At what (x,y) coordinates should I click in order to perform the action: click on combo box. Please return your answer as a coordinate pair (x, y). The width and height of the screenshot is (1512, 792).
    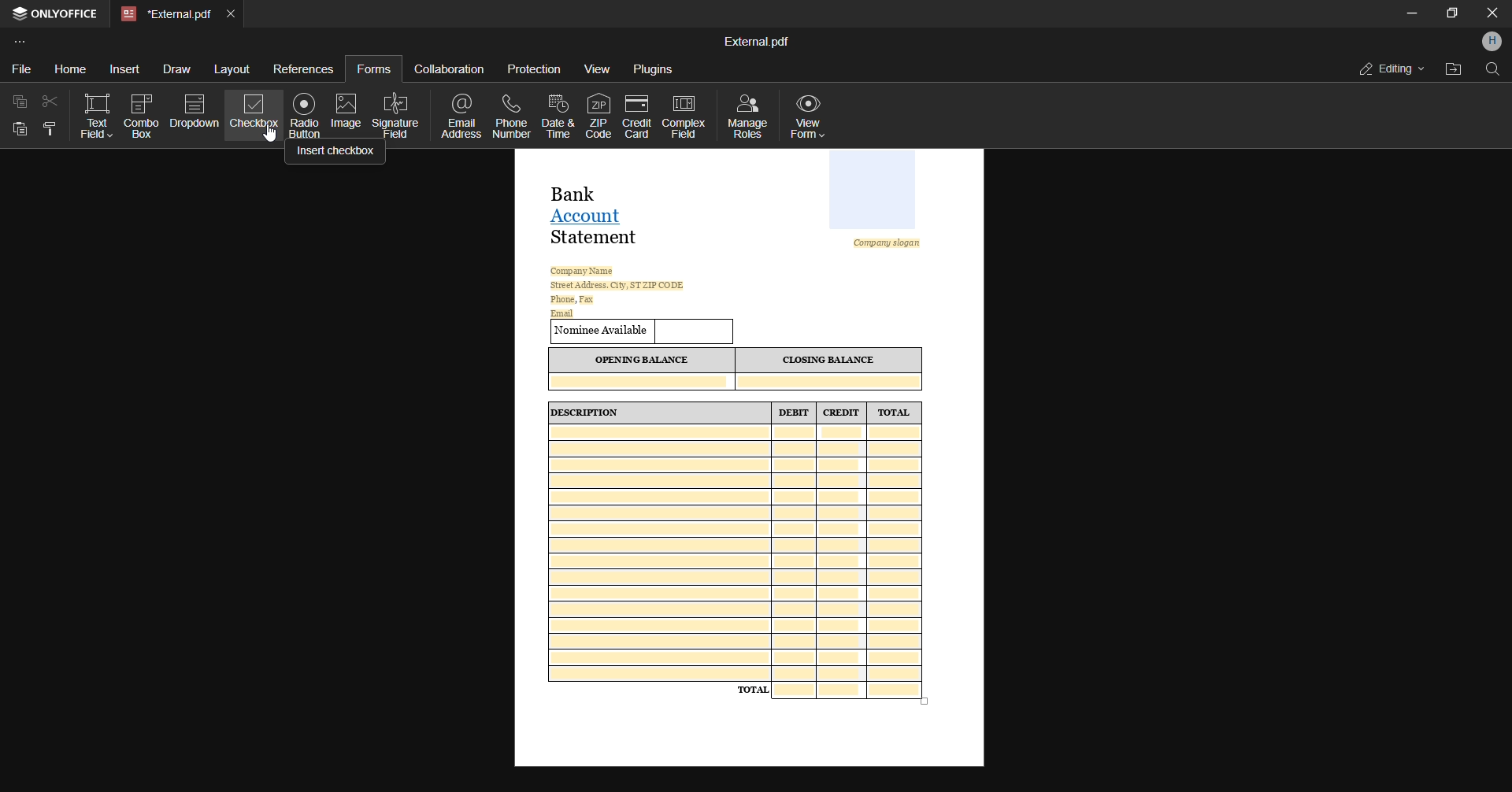
    Looking at the image, I should click on (142, 117).